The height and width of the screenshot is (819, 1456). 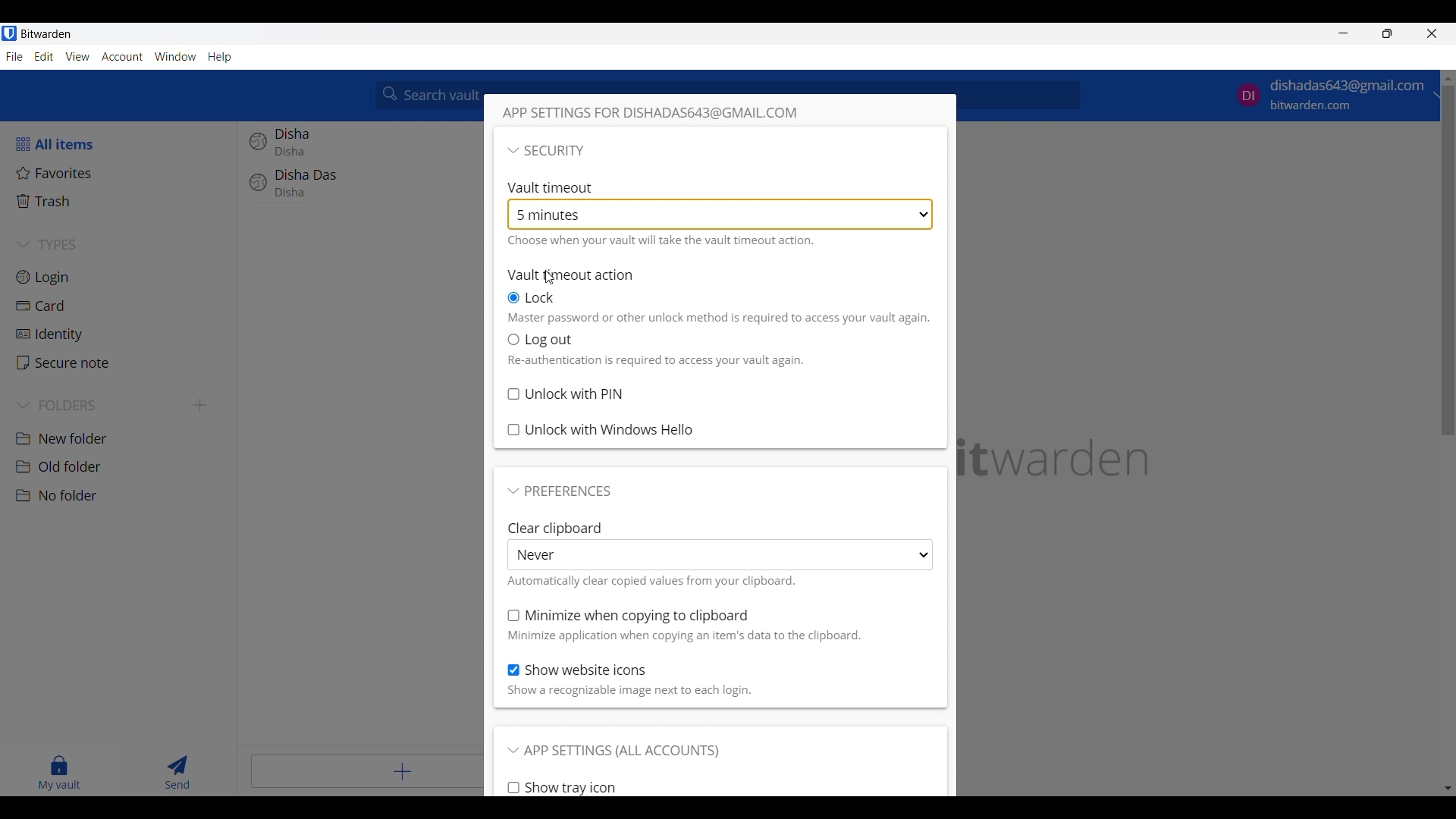 What do you see at coordinates (629, 616) in the screenshot?
I see `Toggle for Minimize when copying to clipboard` at bounding box center [629, 616].